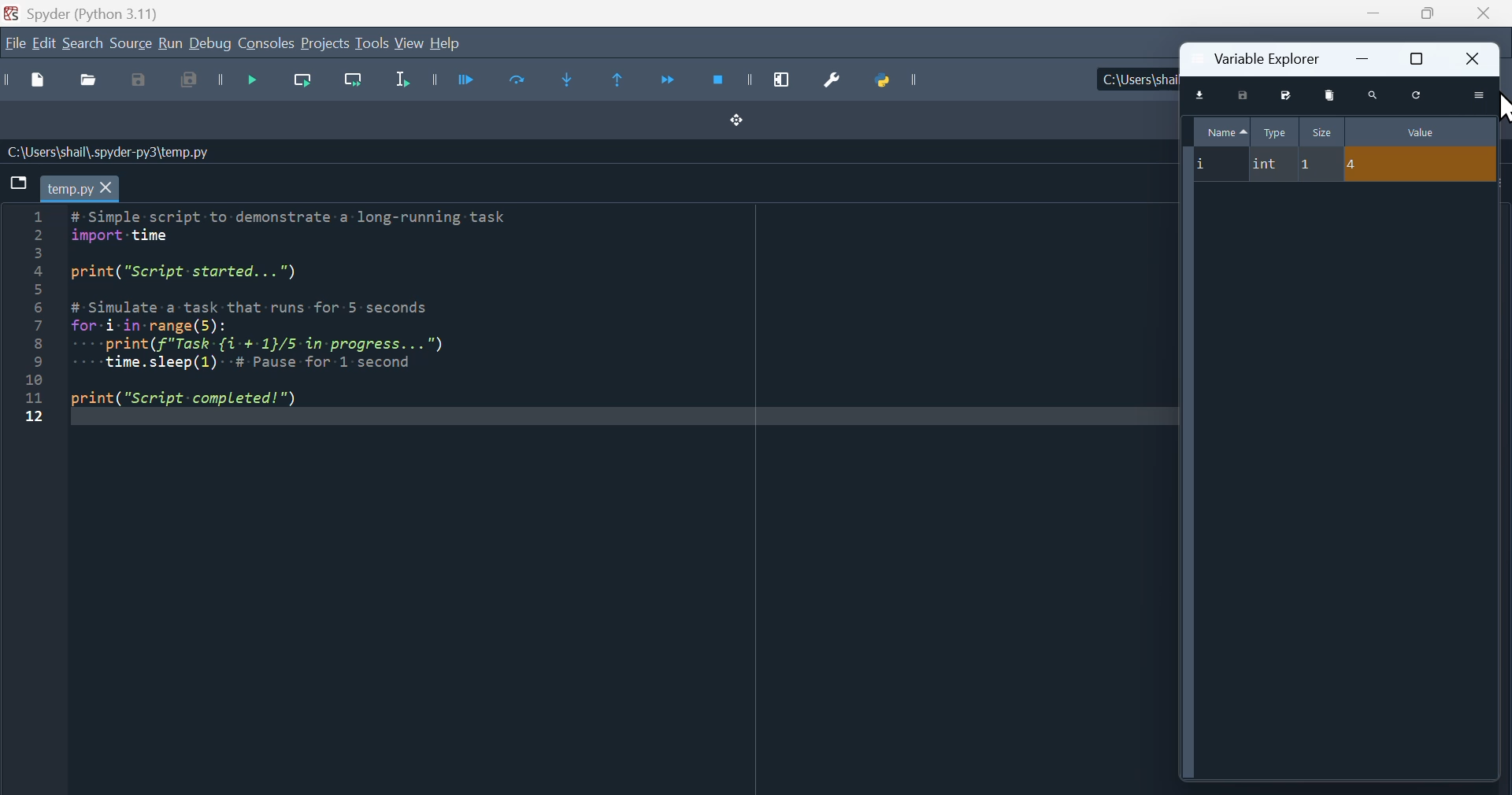  Describe the element at coordinates (1322, 131) in the screenshot. I see `size` at that location.